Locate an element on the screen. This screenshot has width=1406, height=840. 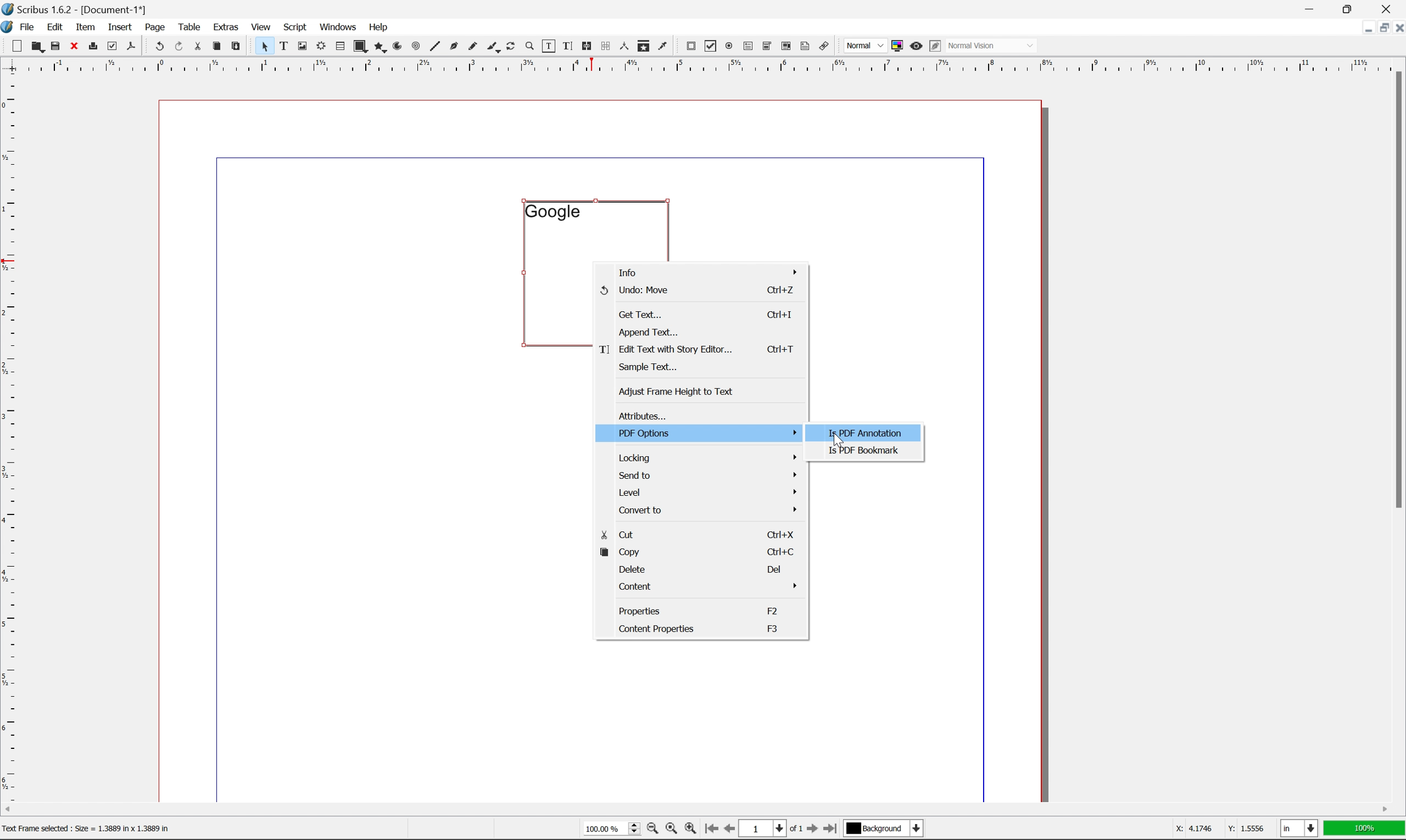
send to is located at coordinates (707, 475).